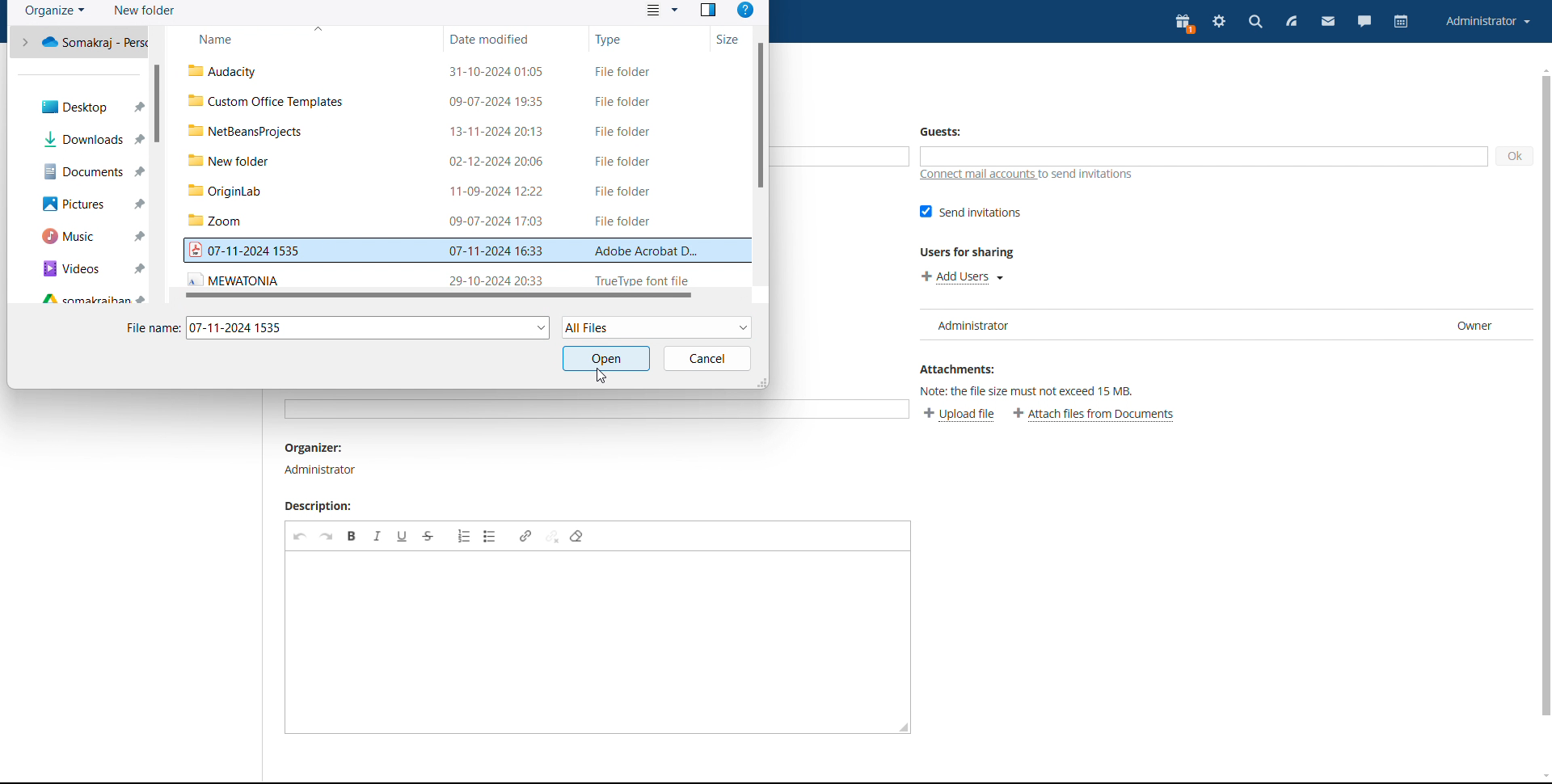  Describe the element at coordinates (709, 11) in the screenshot. I see `preview` at that location.